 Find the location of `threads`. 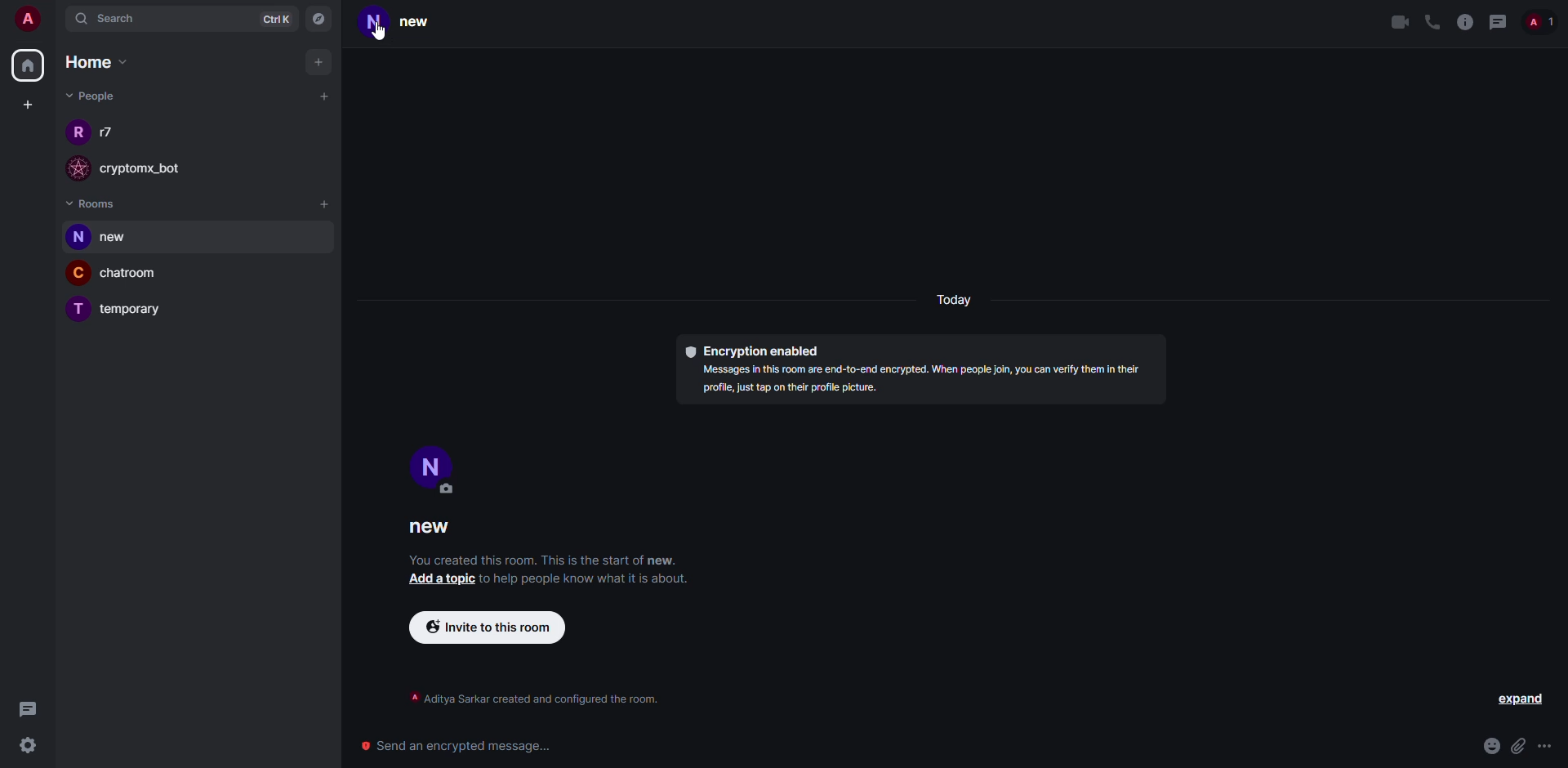

threads is located at coordinates (1499, 21).